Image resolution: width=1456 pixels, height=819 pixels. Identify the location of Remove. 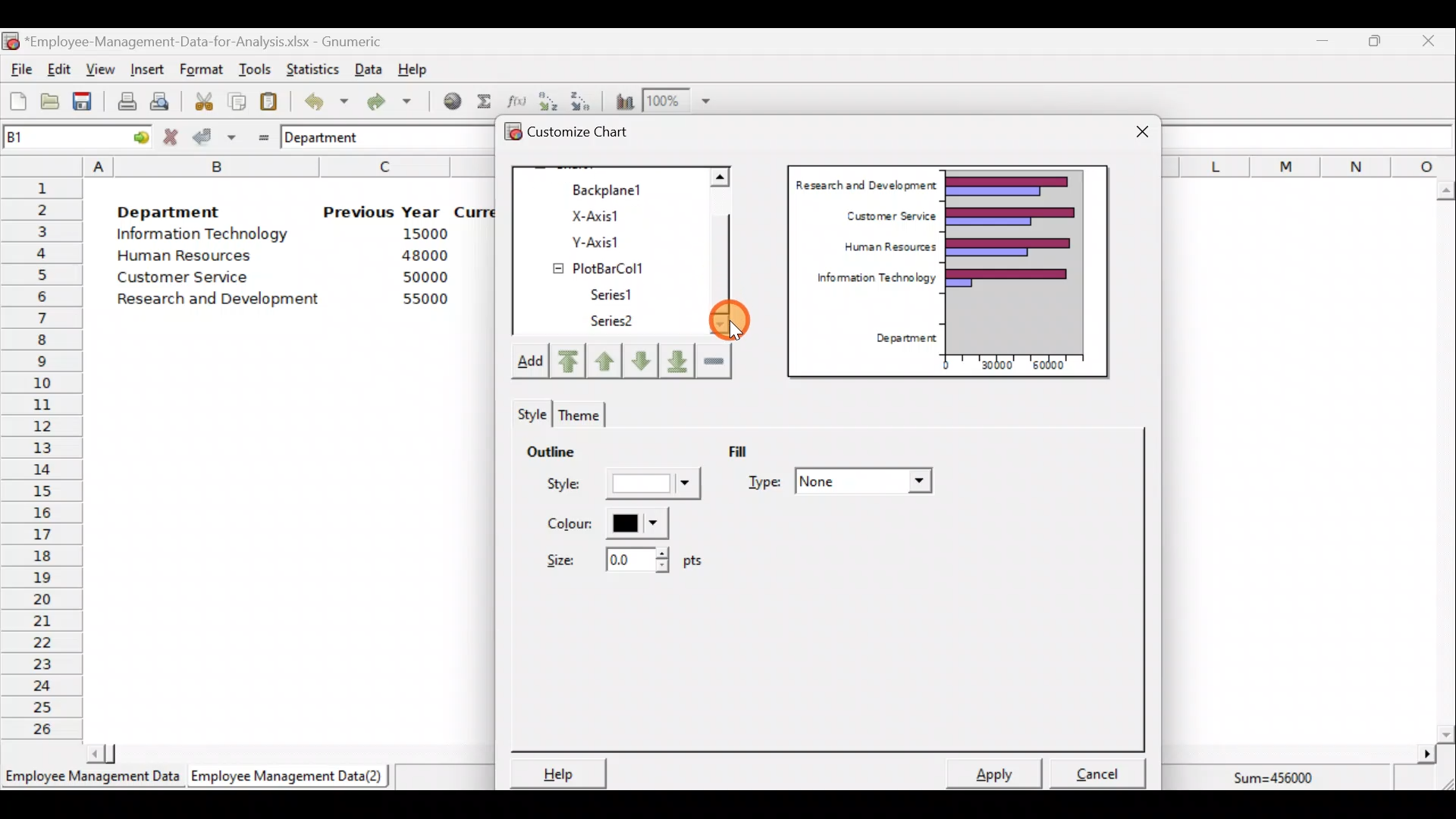
(714, 359).